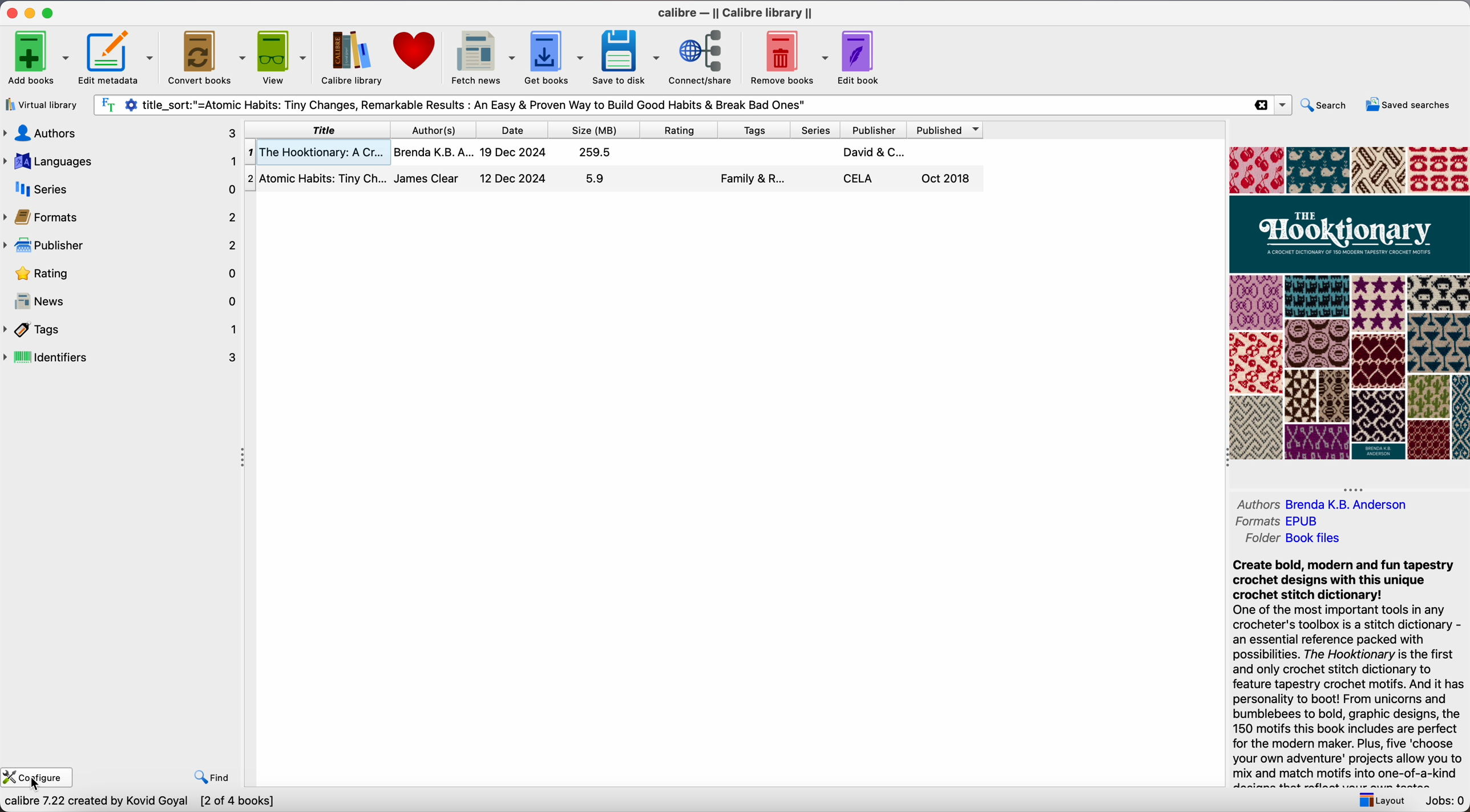  What do you see at coordinates (482, 56) in the screenshot?
I see `fetch news` at bounding box center [482, 56].